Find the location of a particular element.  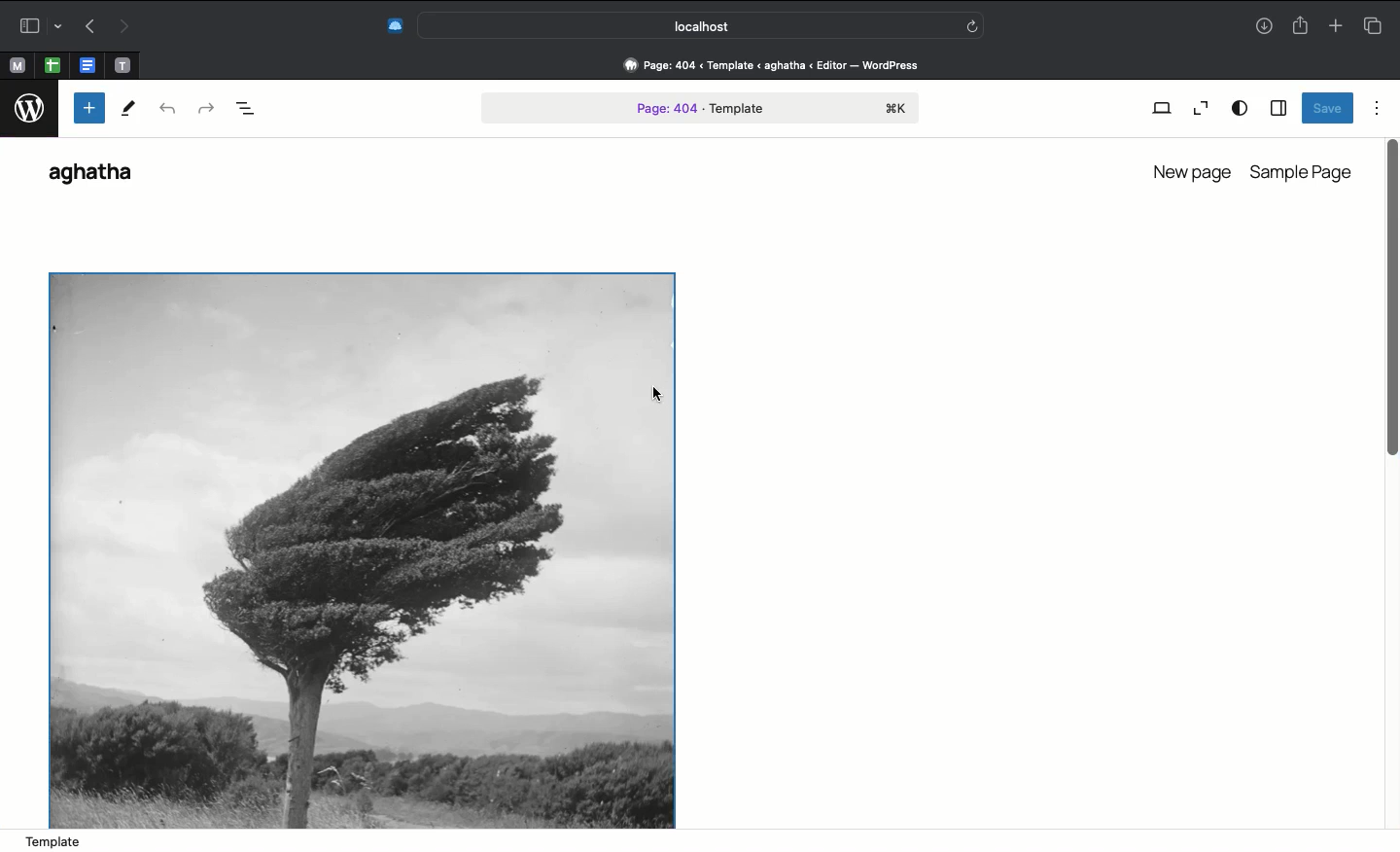

Redo is located at coordinates (205, 110).